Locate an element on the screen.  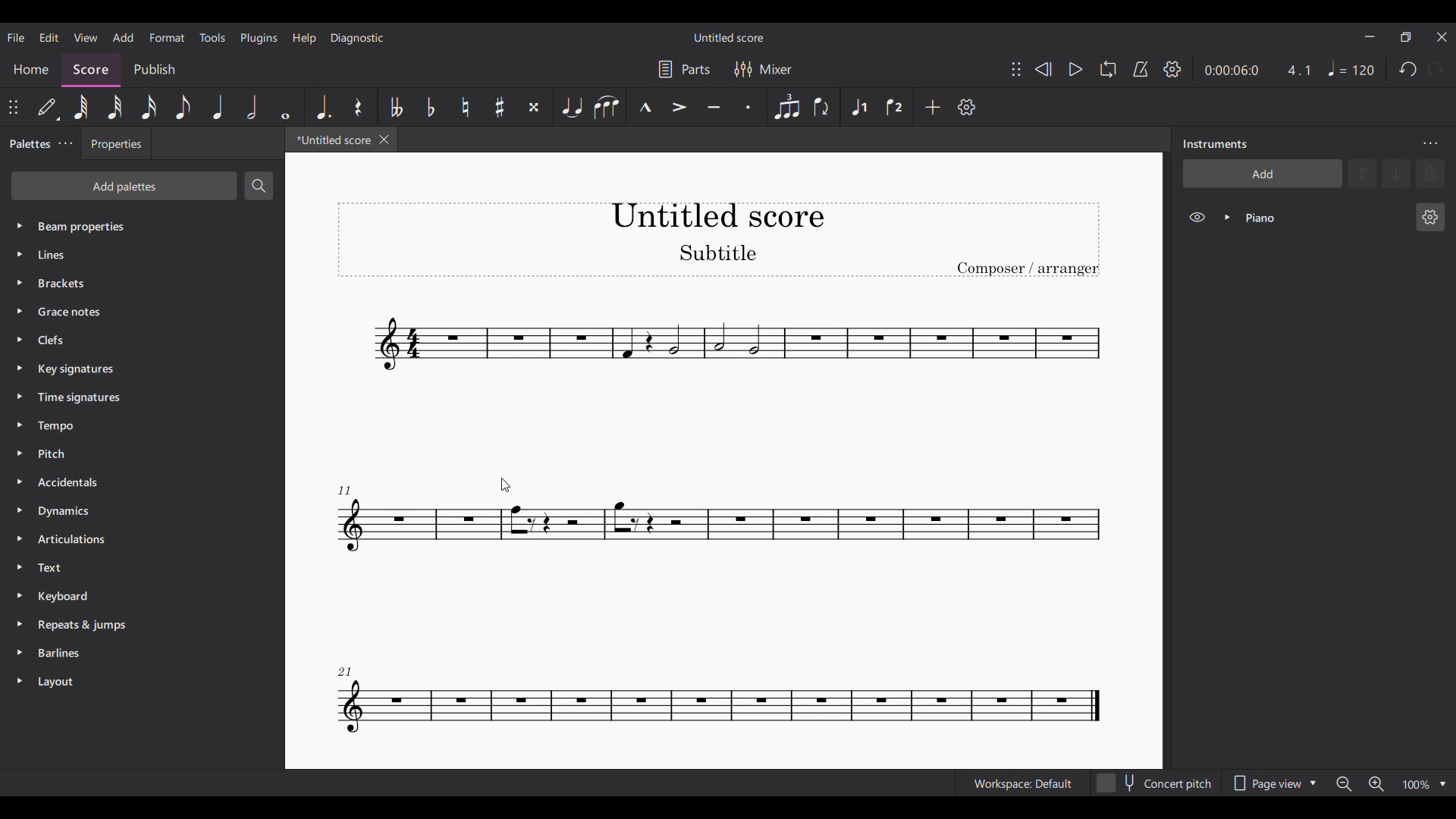
Repeats & jumps is located at coordinates (130, 624).